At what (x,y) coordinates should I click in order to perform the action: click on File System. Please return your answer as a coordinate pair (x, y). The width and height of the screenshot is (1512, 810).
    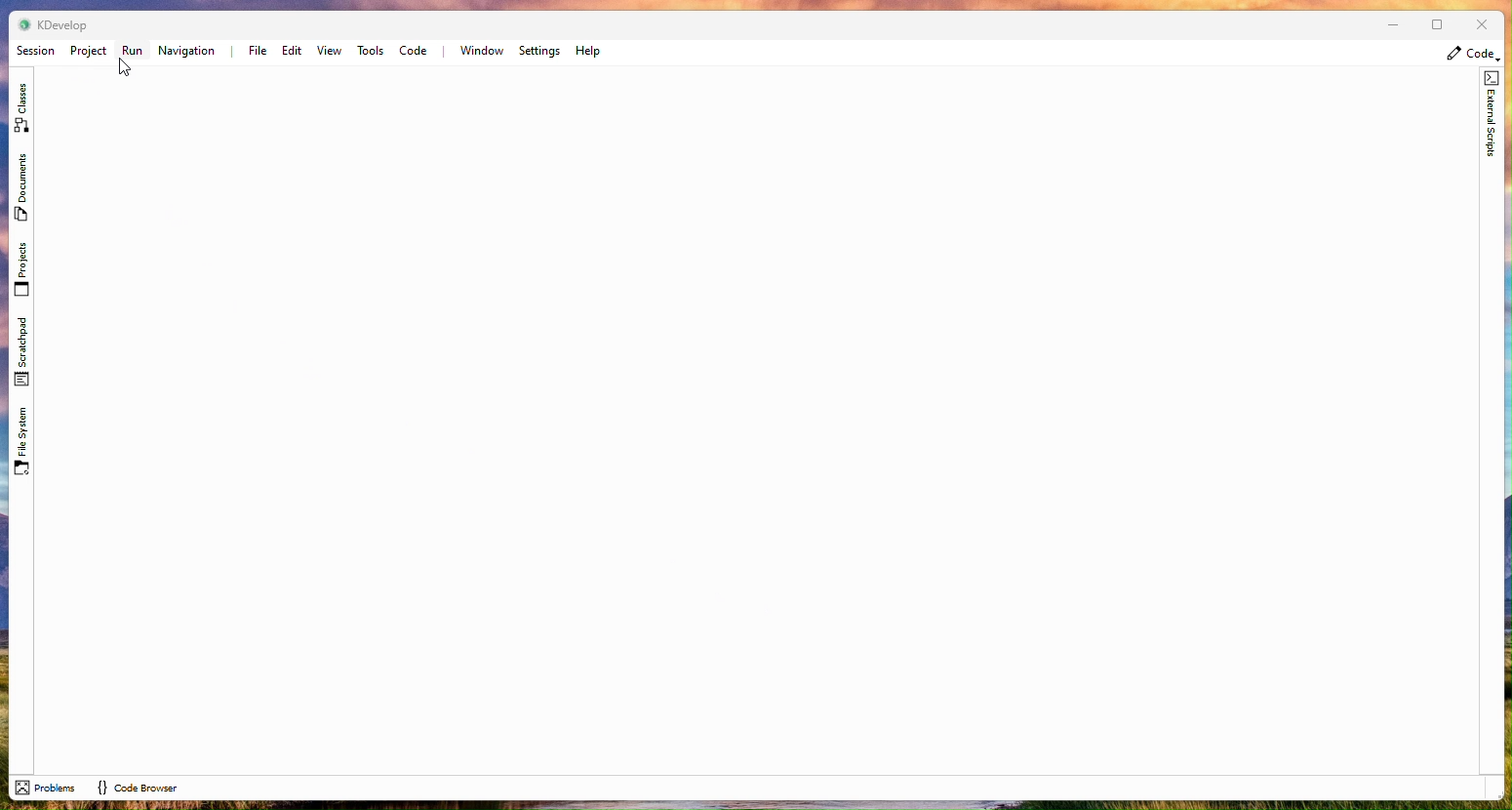
    Looking at the image, I should click on (22, 437).